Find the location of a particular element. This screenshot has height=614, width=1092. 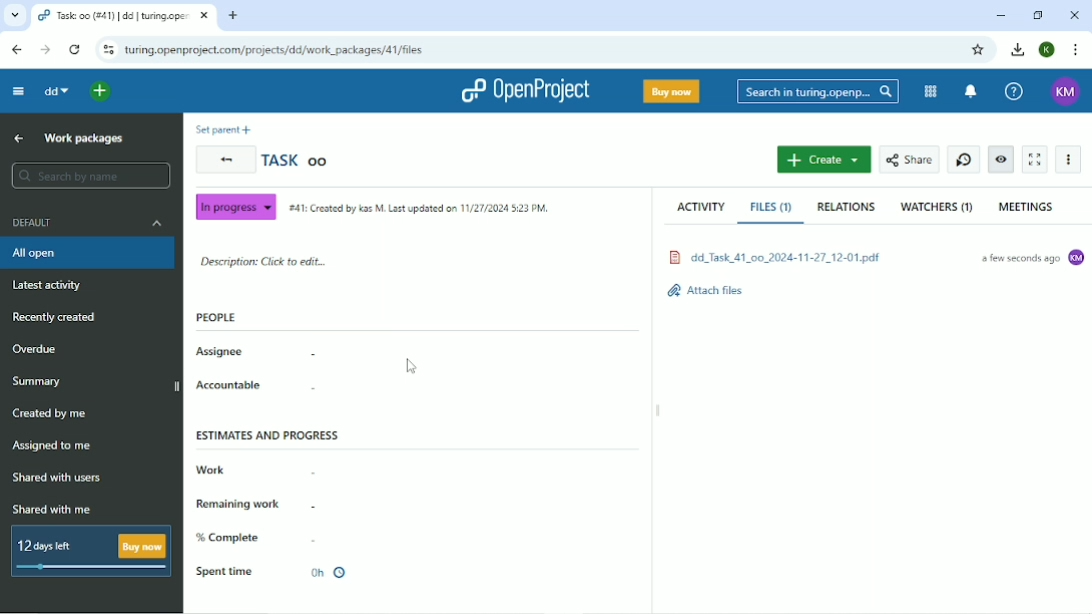

To notification center is located at coordinates (973, 91).